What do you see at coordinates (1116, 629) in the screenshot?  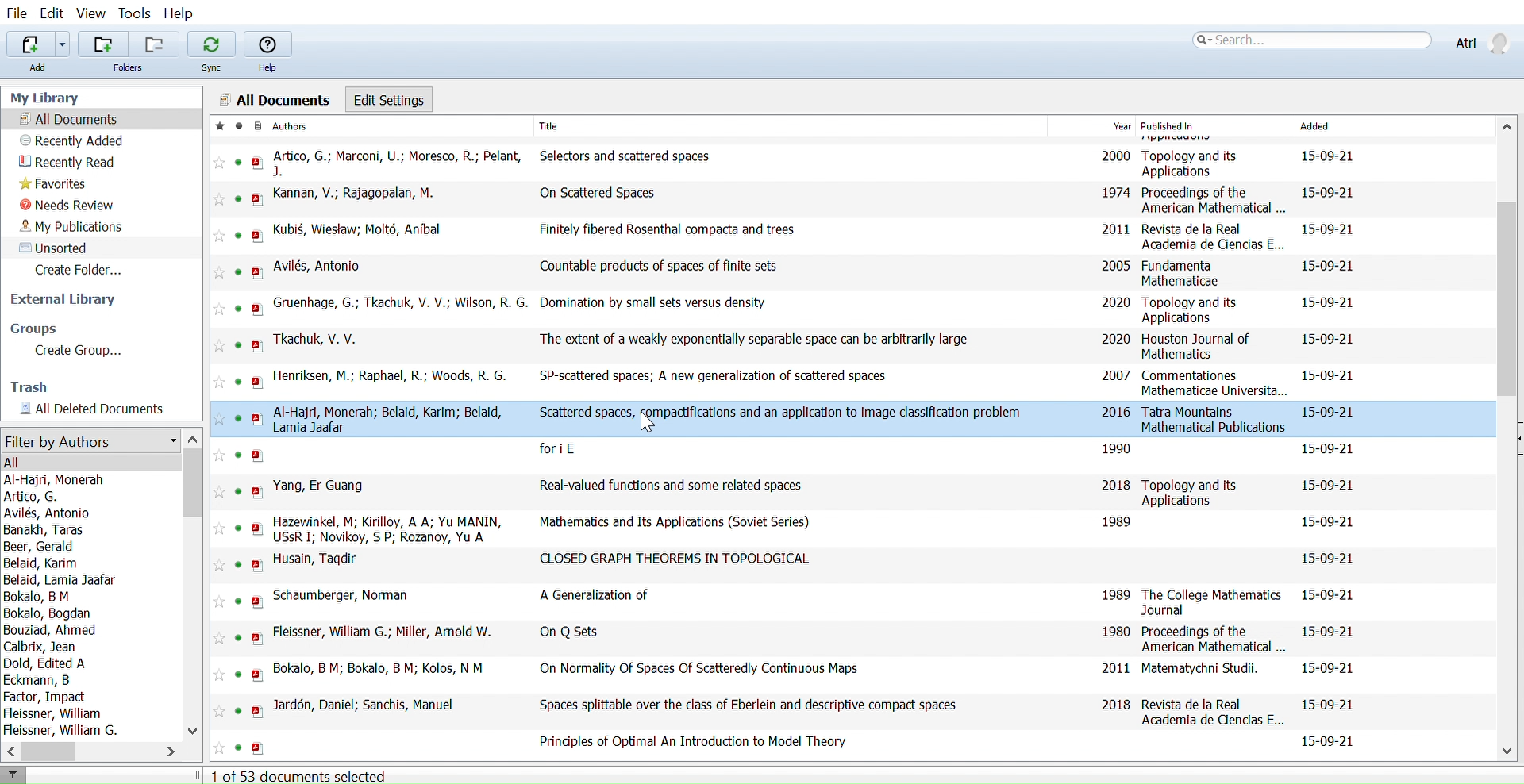 I see `1980` at bounding box center [1116, 629].